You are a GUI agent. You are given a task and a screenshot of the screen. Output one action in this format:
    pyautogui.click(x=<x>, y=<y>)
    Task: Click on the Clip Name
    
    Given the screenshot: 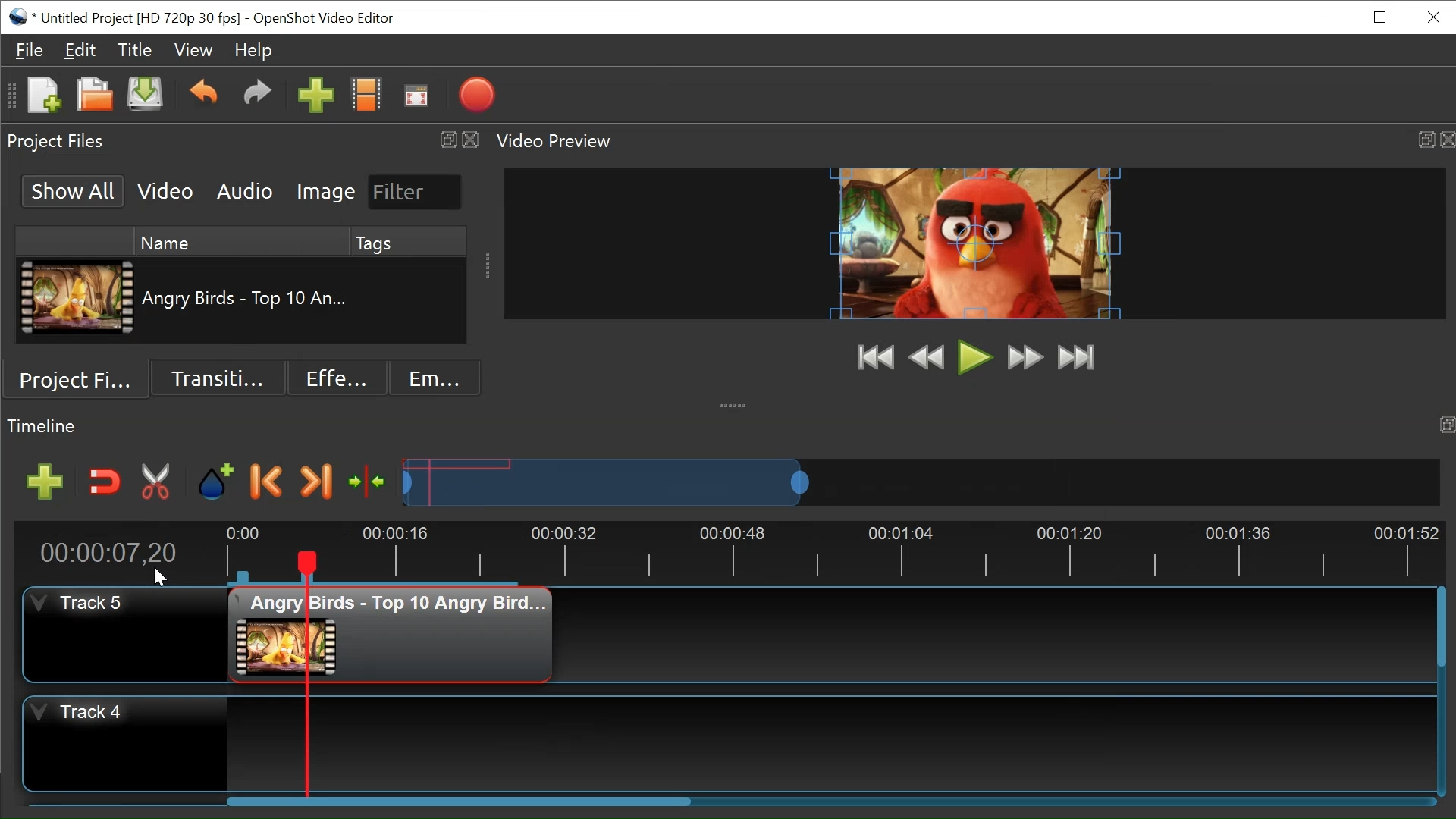 What is the action you would take?
    pyautogui.click(x=245, y=302)
    